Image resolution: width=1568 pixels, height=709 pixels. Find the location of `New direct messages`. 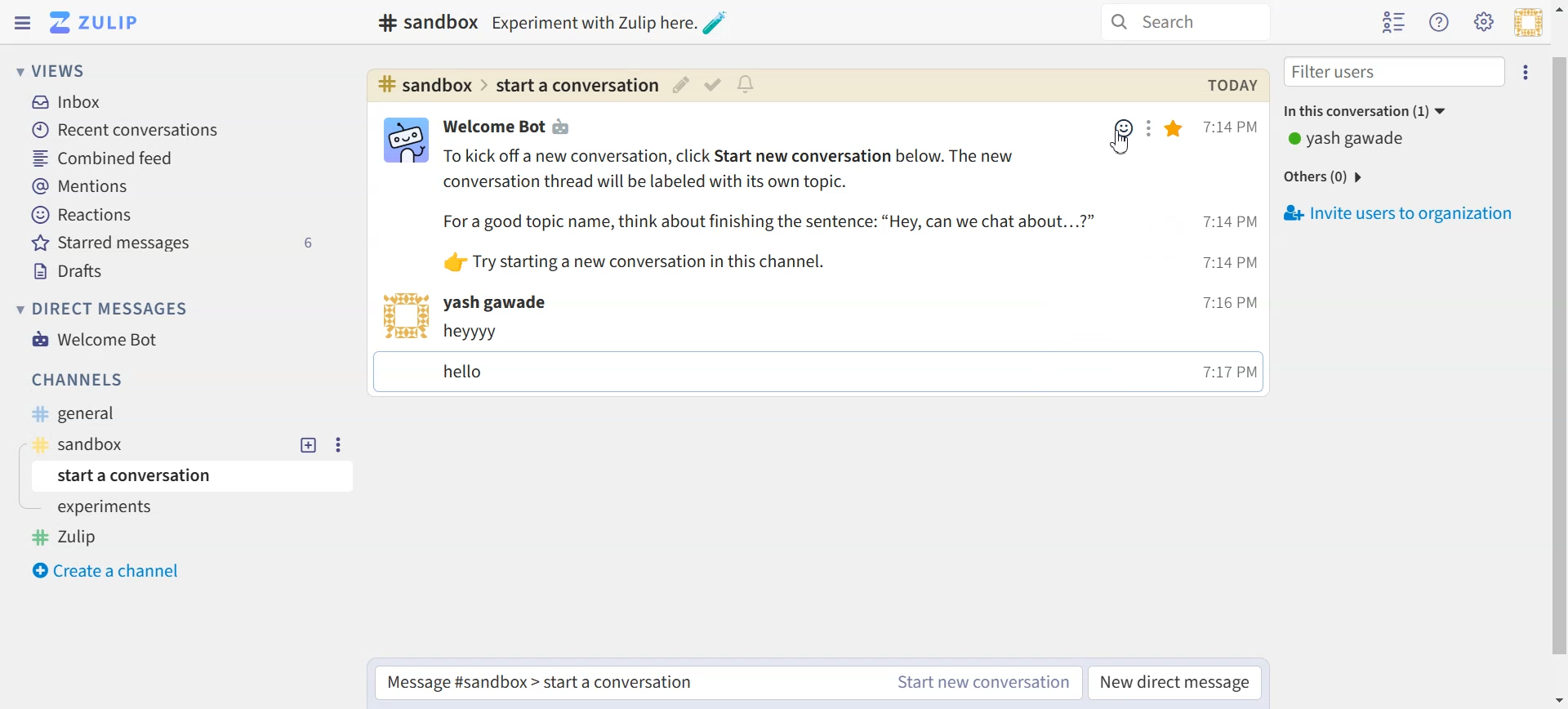

New direct messages is located at coordinates (1177, 683).